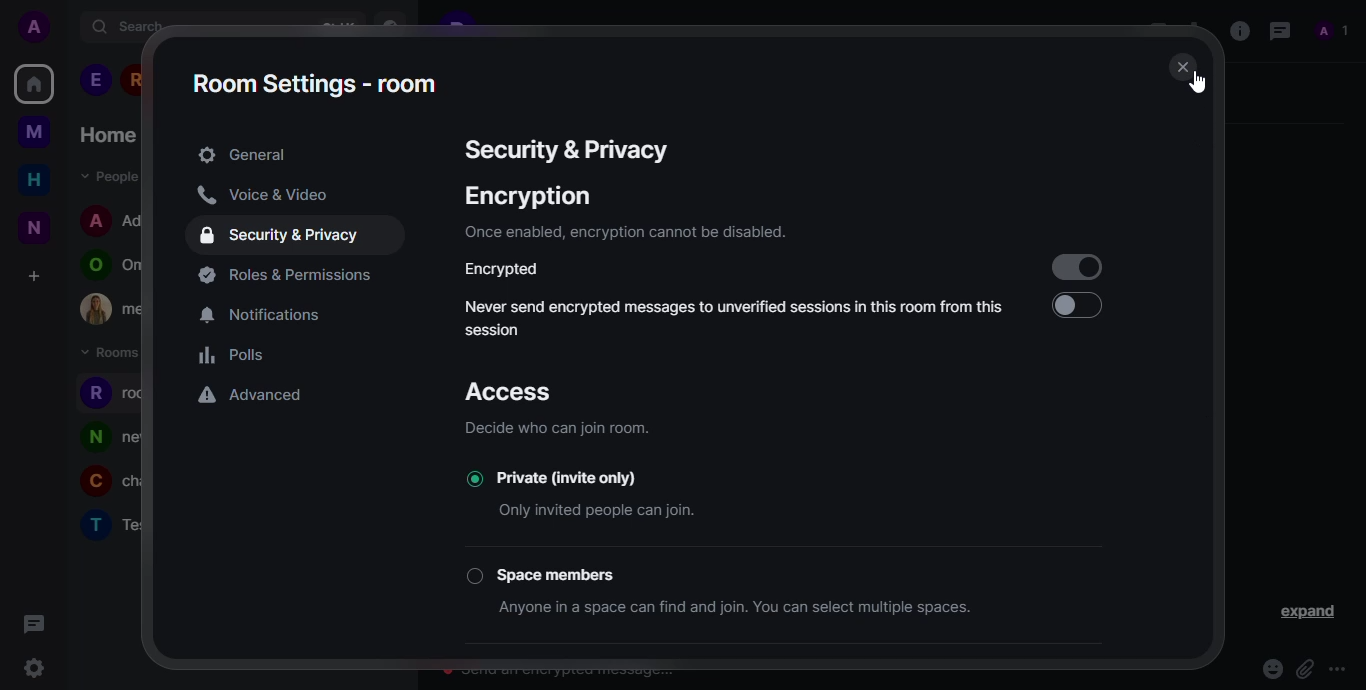 The image size is (1366, 690). What do you see at coordinates (545, 198) in the screenshot?
I see `Encryption` at bounding box center [545, 198].